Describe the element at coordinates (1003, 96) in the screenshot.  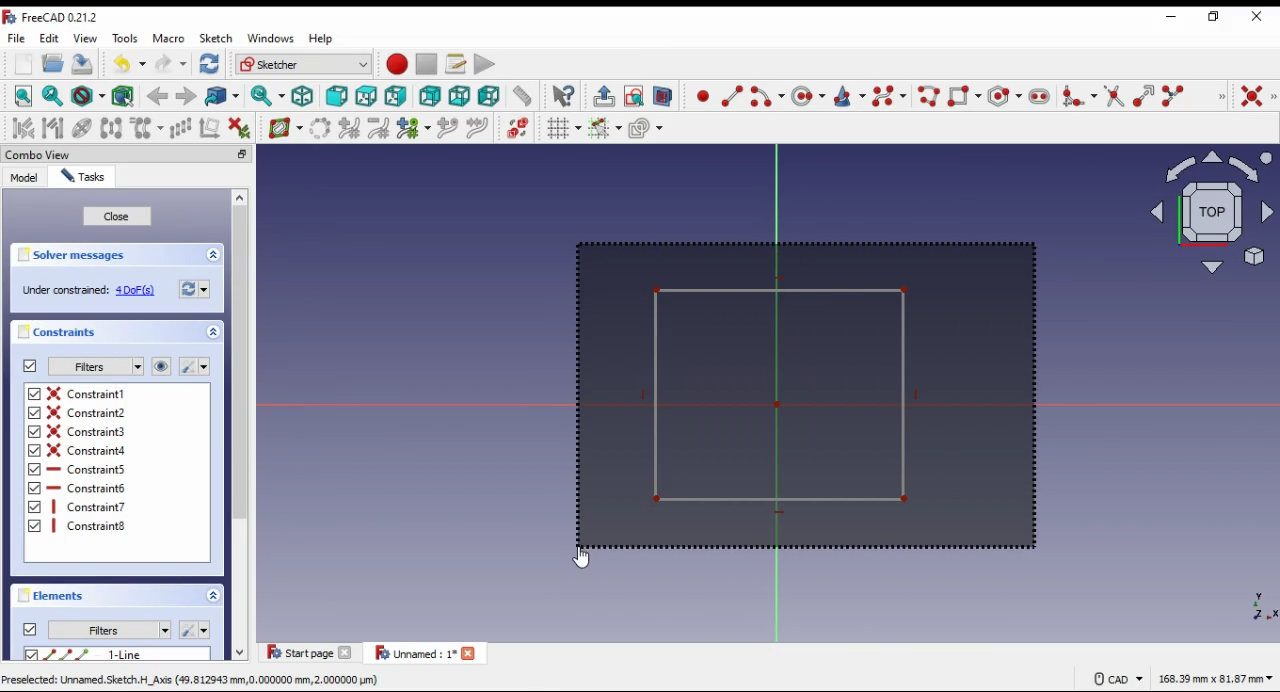
I see `create regular polygon` at that location.